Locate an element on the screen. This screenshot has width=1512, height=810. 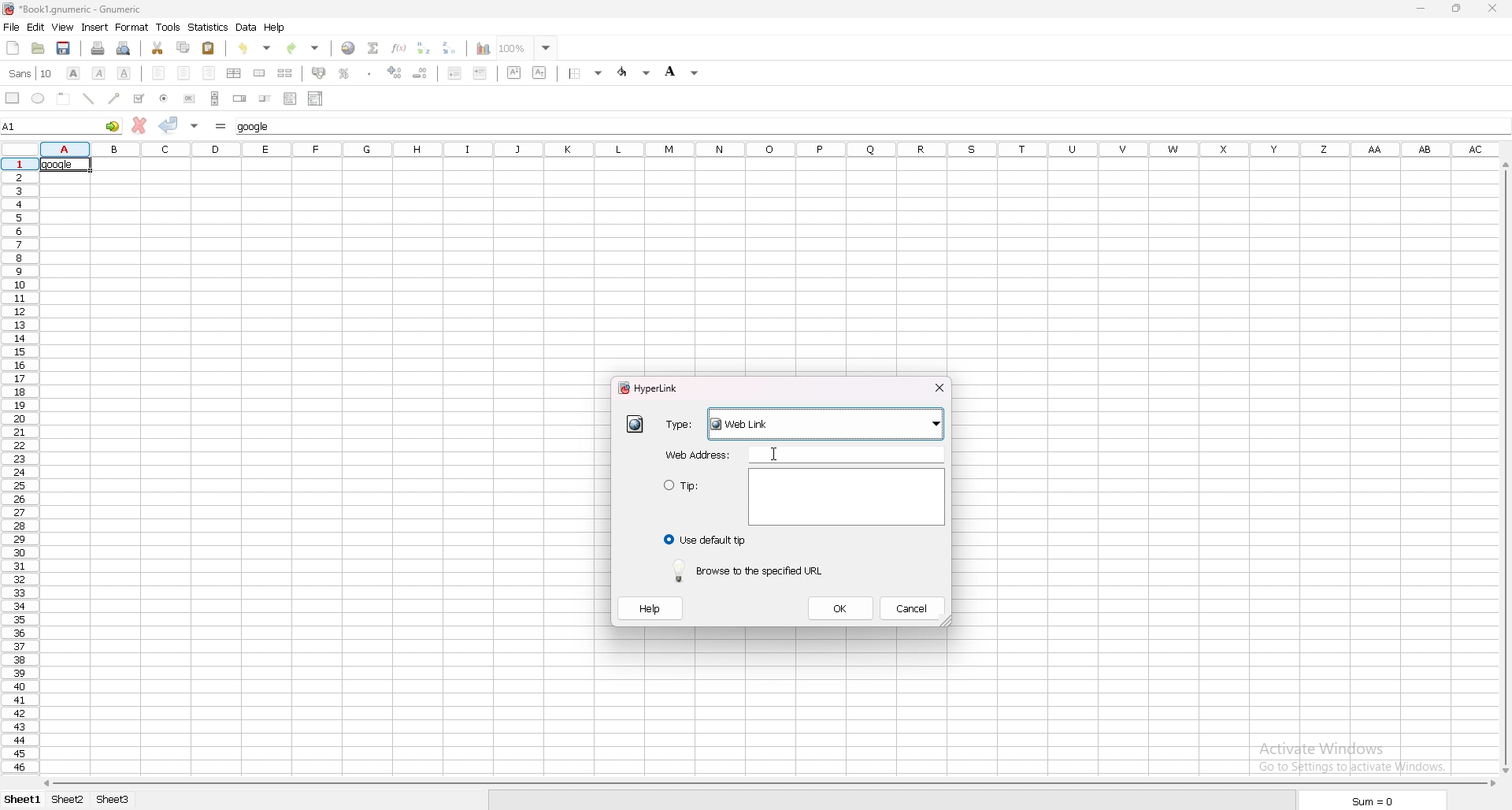
cancel is located at coordinates (910, 607).